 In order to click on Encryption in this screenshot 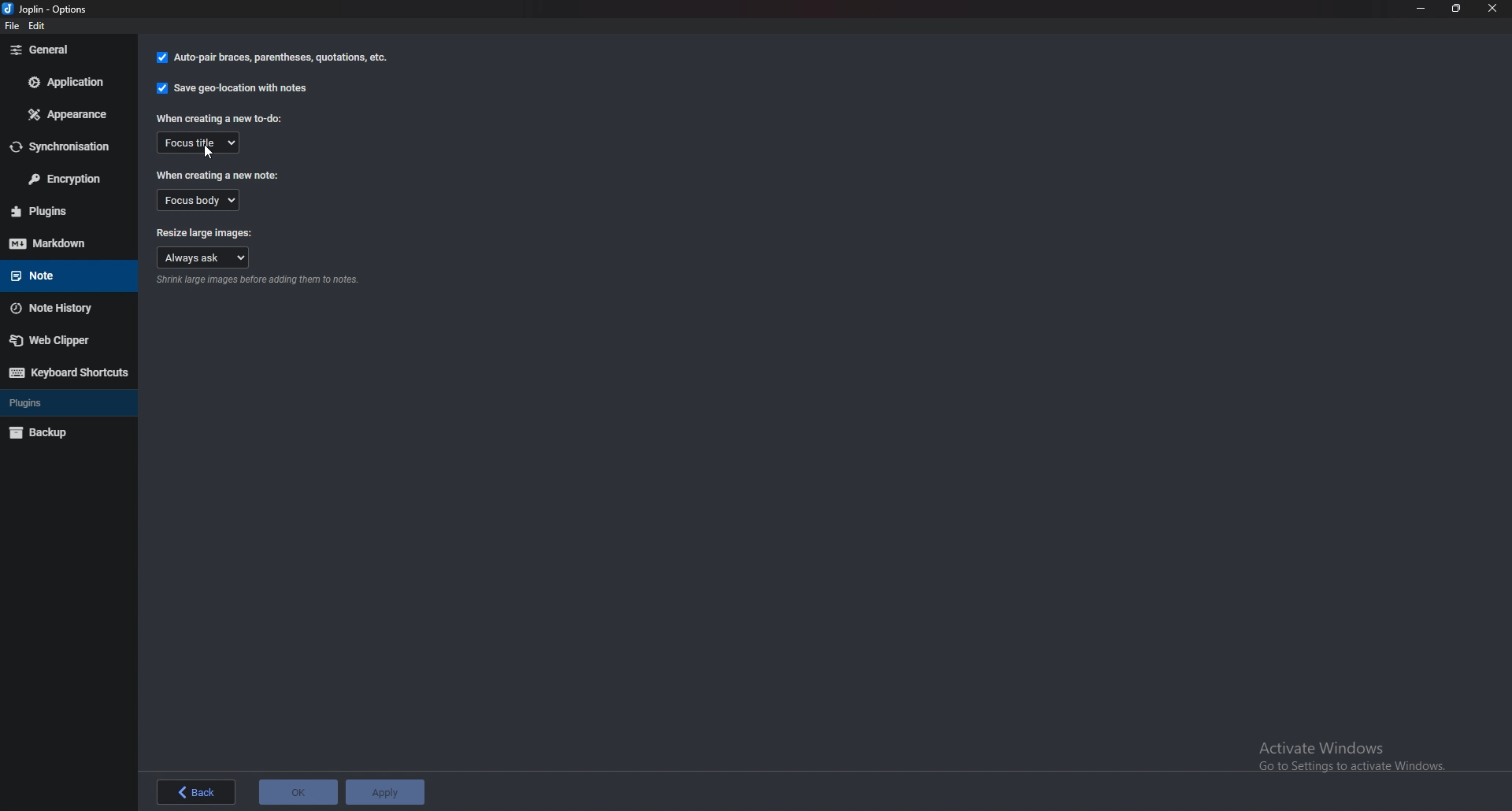, I will do `click(66, 180)`.